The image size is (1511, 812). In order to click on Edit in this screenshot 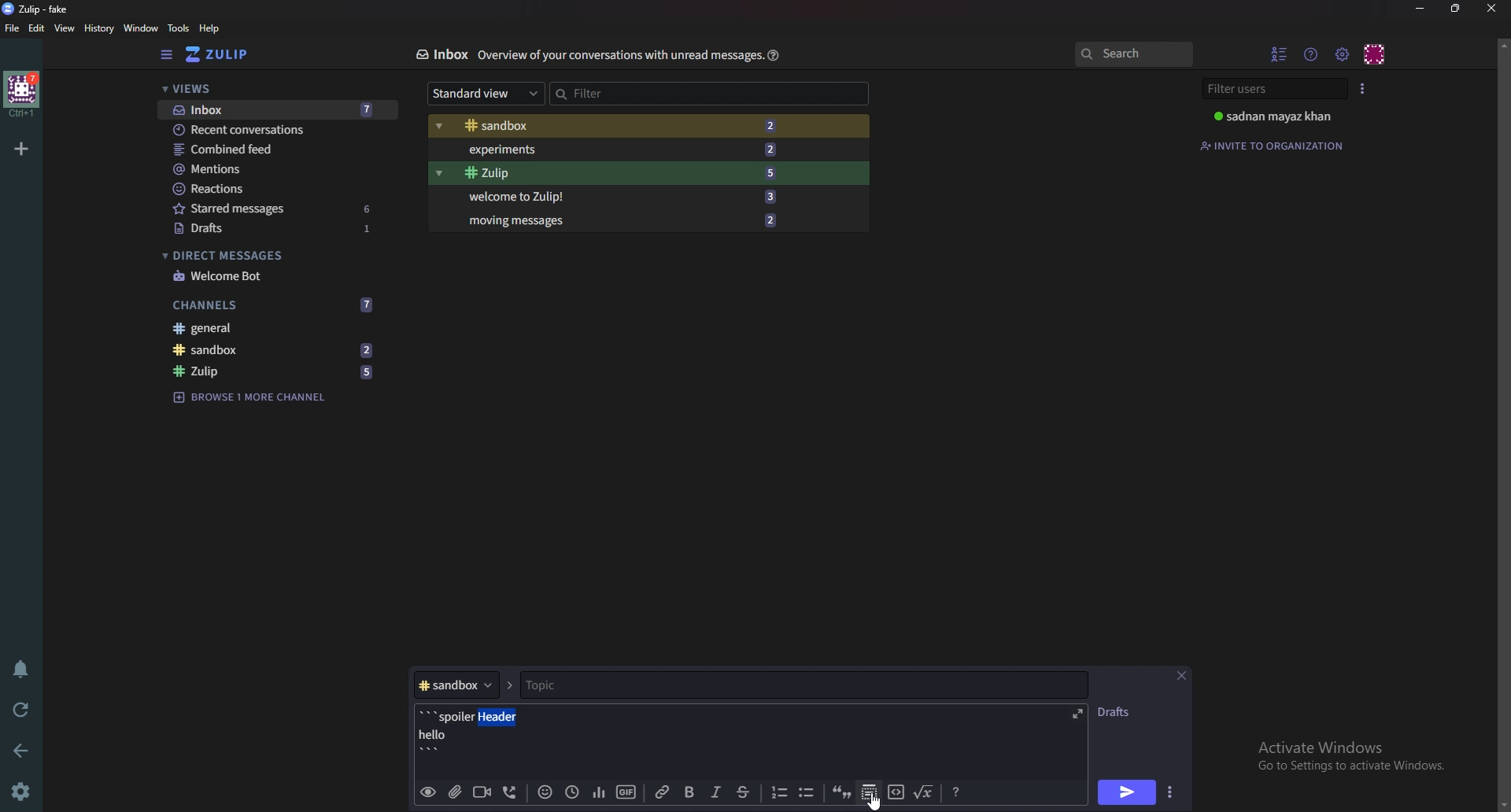, I will do `click(39, 28)`.